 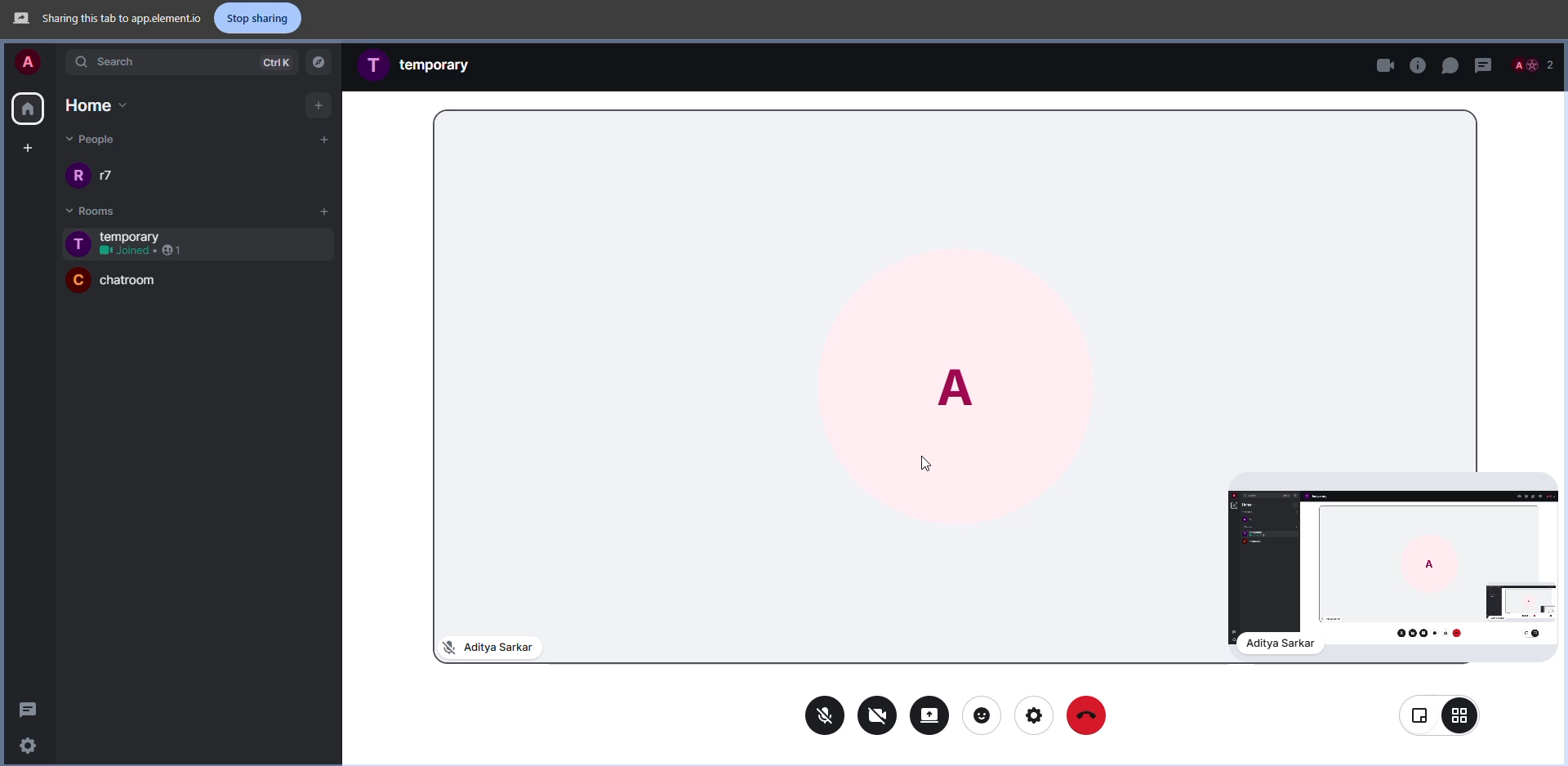 I want to click on profile, so click(x=80, y=241).